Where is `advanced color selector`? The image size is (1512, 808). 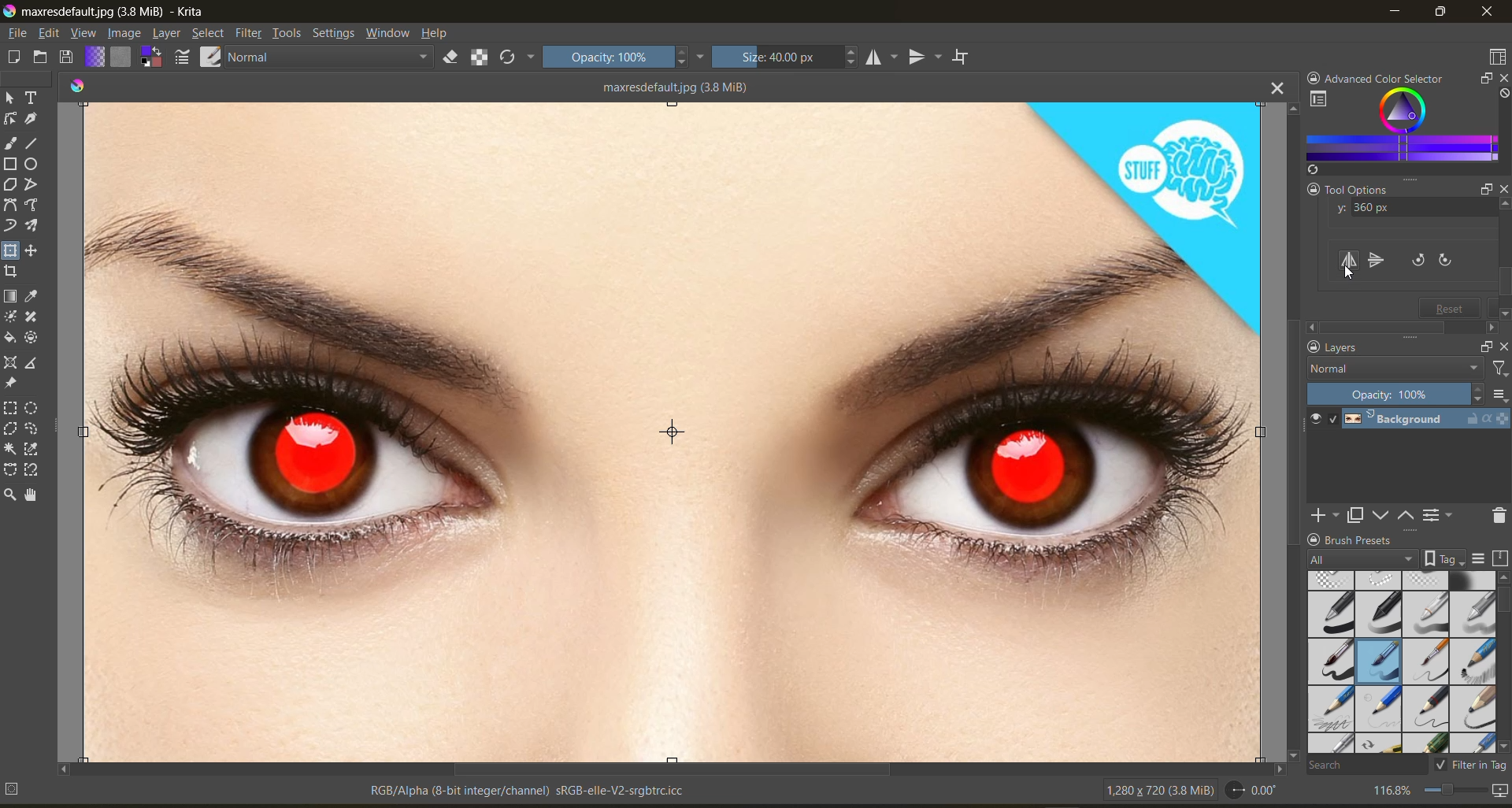 advanced color selector is located at coordinates (1399, 131).